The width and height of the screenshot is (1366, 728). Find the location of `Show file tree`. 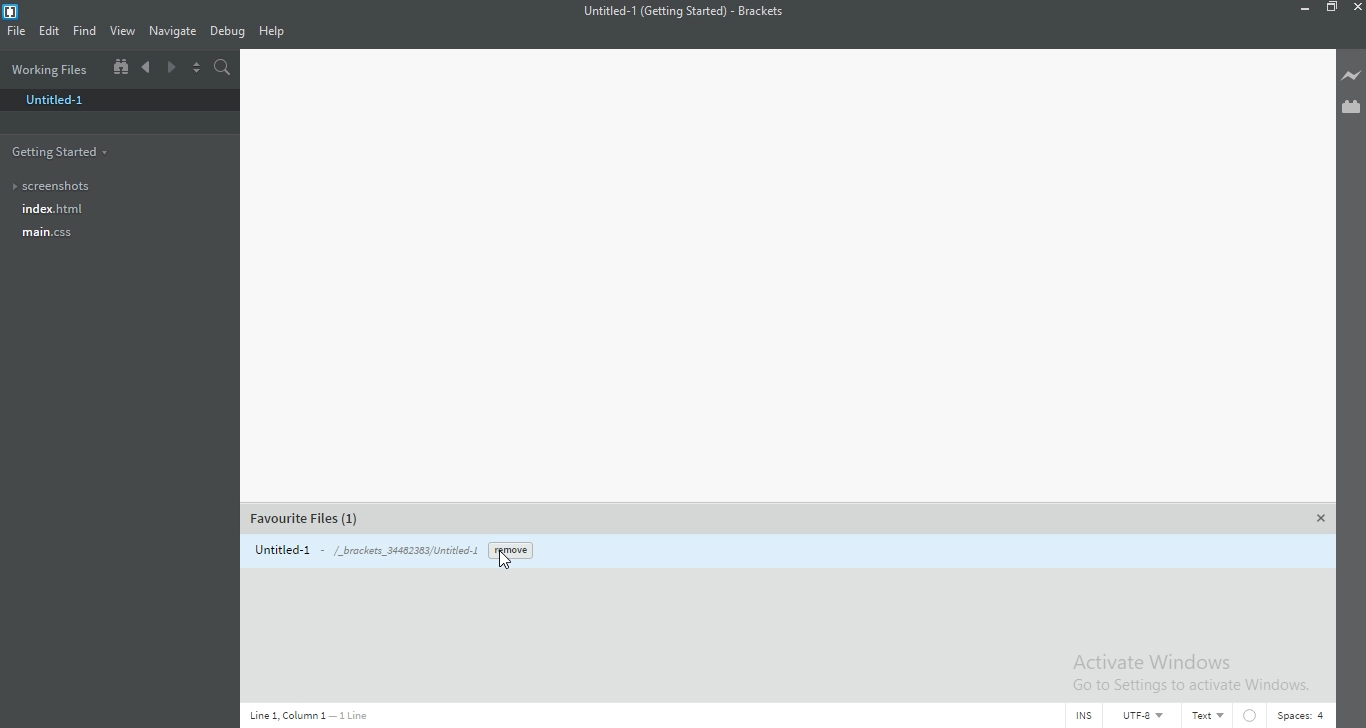

Show file tree is located at coordinates (119, 69).